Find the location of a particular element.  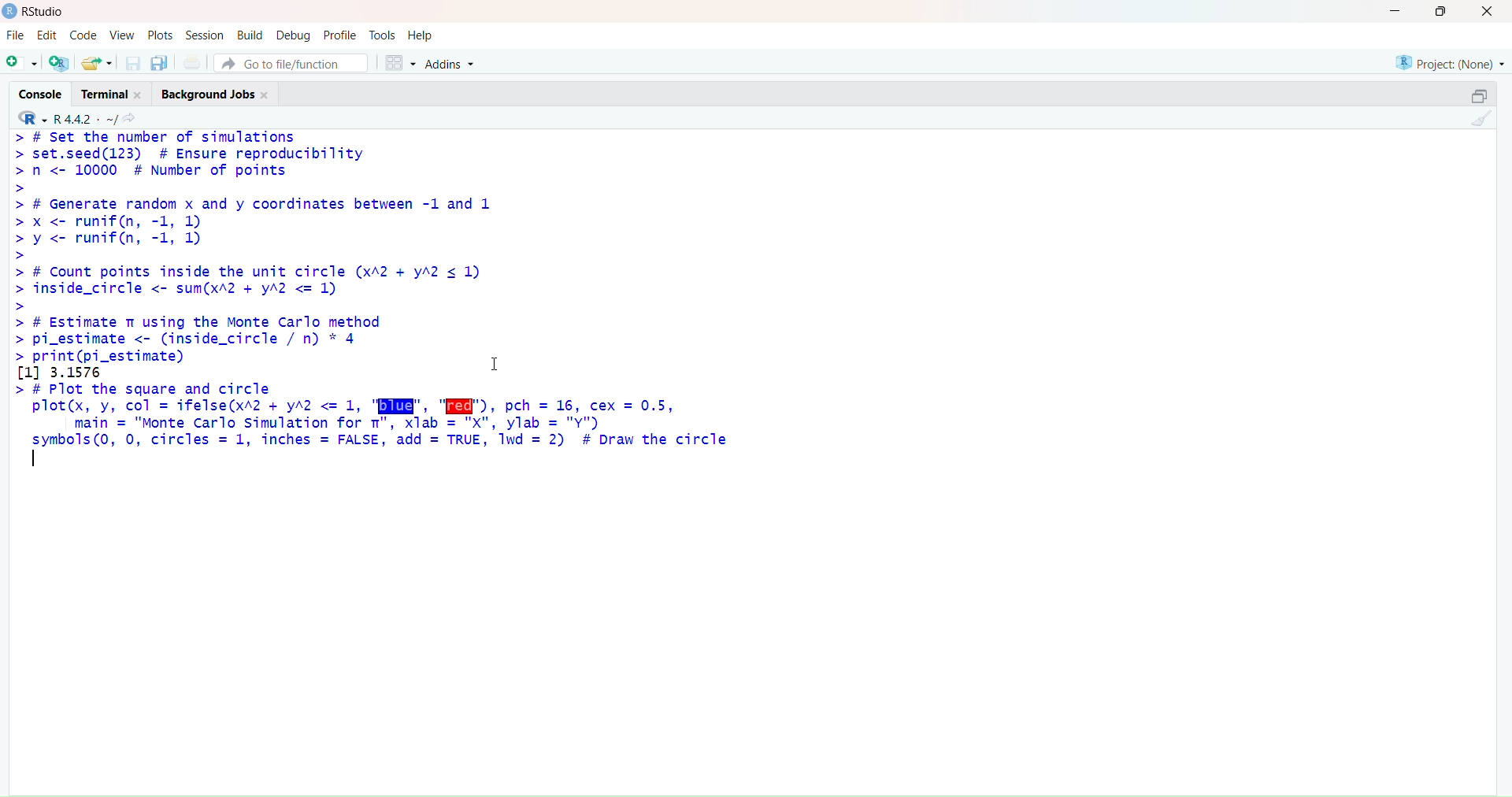

RStudio is located at coordinates (39, 13).